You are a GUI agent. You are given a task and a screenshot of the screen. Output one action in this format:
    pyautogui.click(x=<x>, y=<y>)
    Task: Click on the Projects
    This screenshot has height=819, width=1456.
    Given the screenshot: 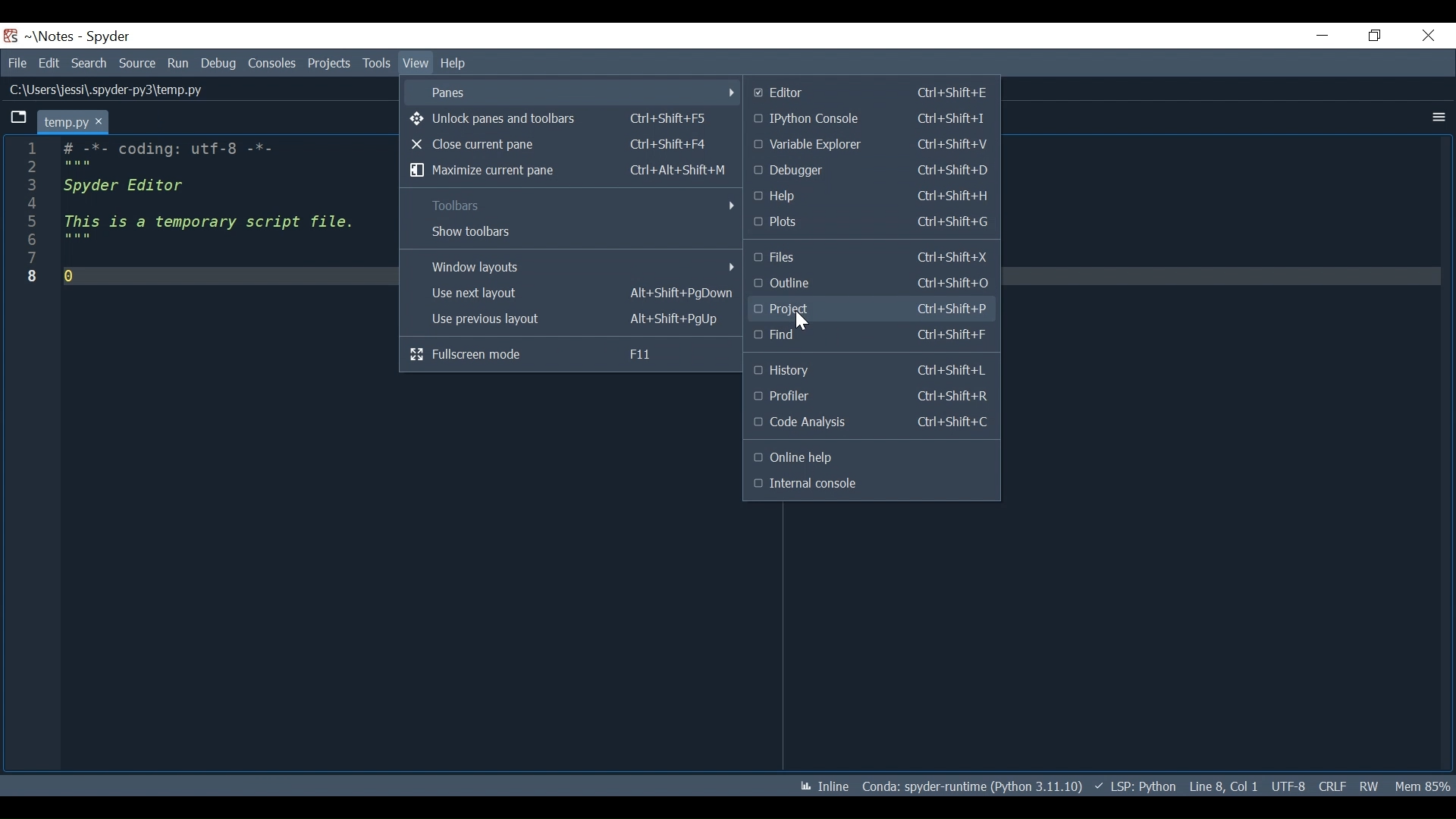 What is the action you would take?
    pyautogui.click(x=871, y=310)
    